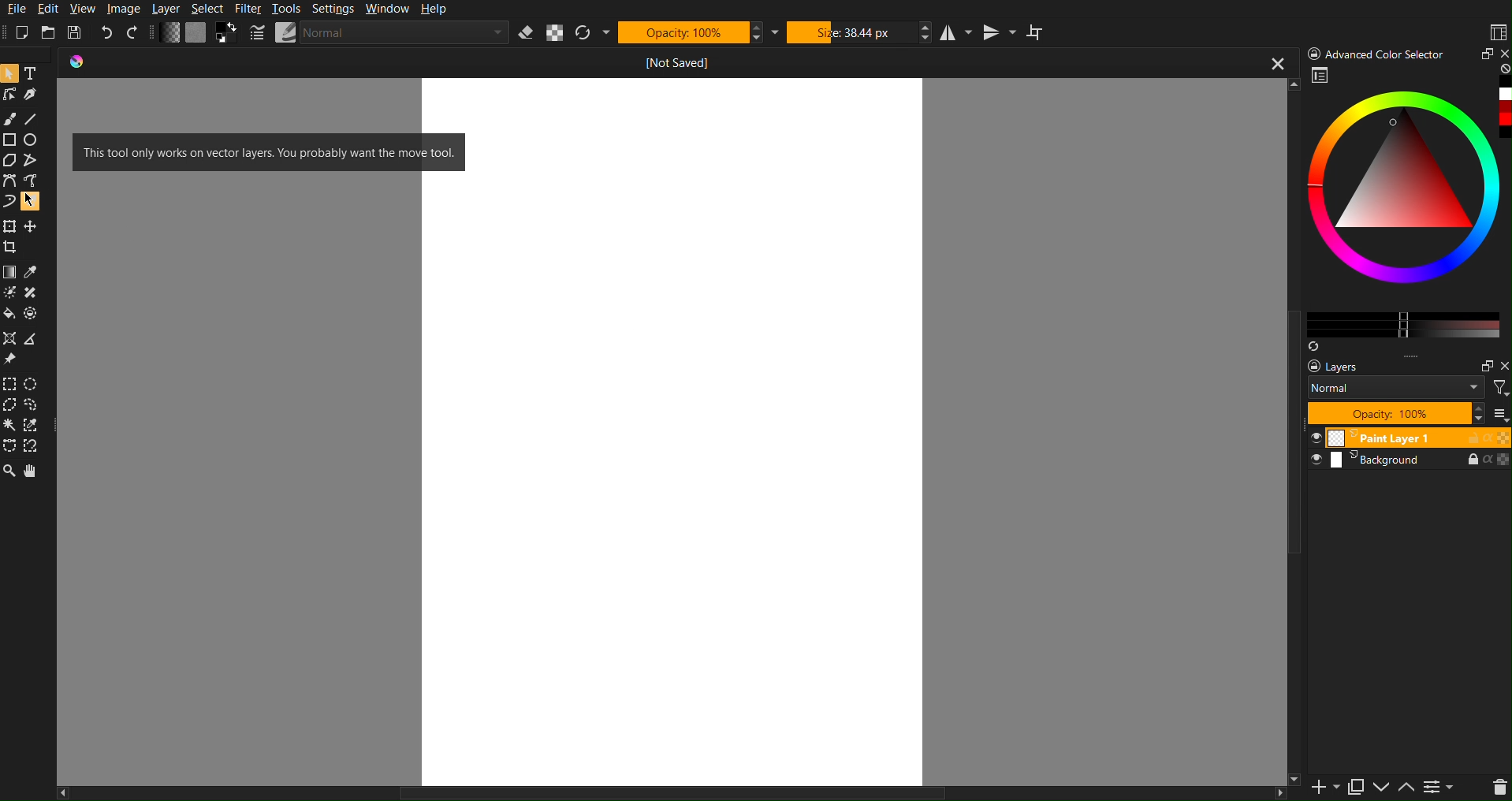 Image resolution: width=1512 pixels, height=801 pixels. Describe the element at coordinates (36, 384) in the screenshot. I see `Ellipse selection Tool` at that location.